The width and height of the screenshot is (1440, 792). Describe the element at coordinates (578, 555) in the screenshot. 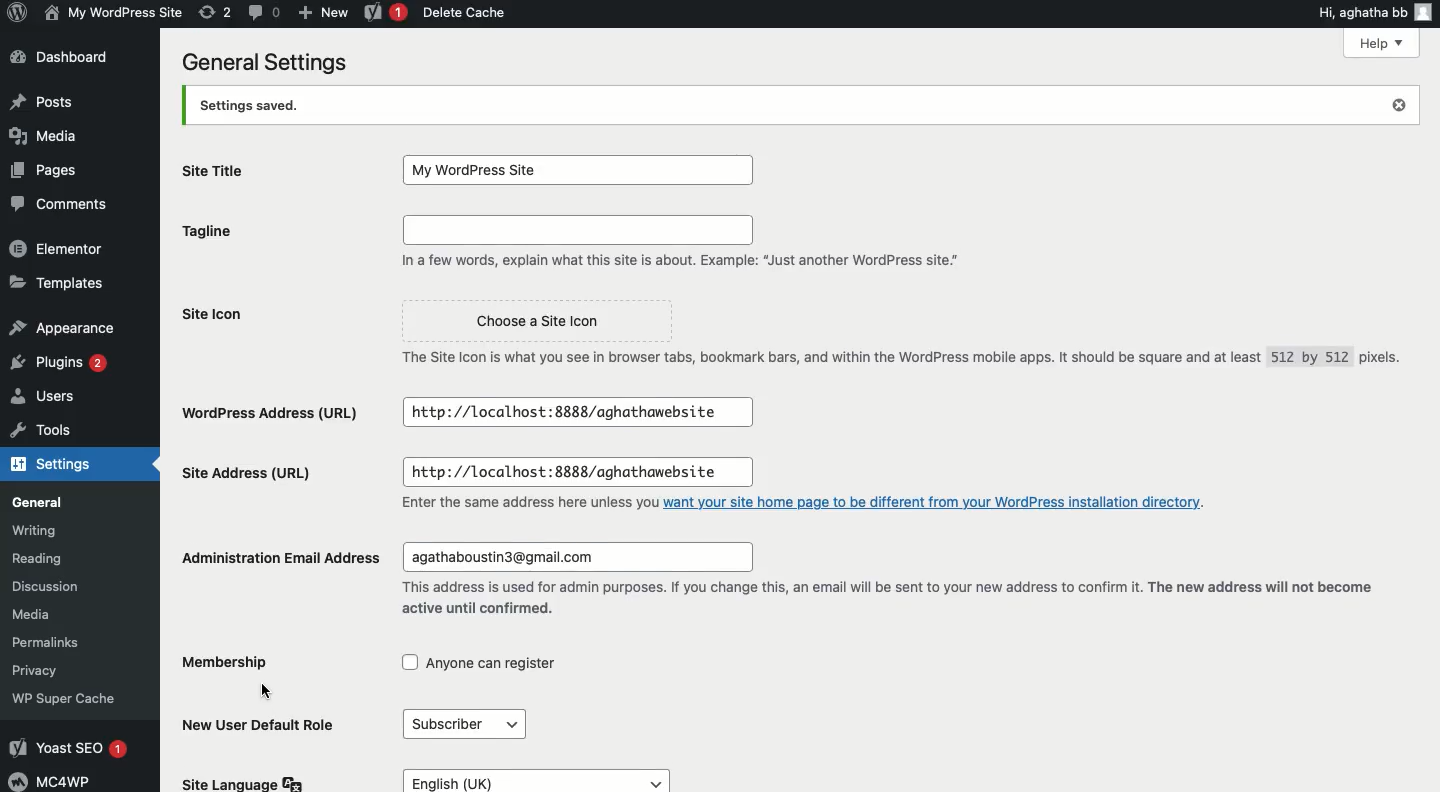

I see `agathaboustin3@gmail.com` at that location.